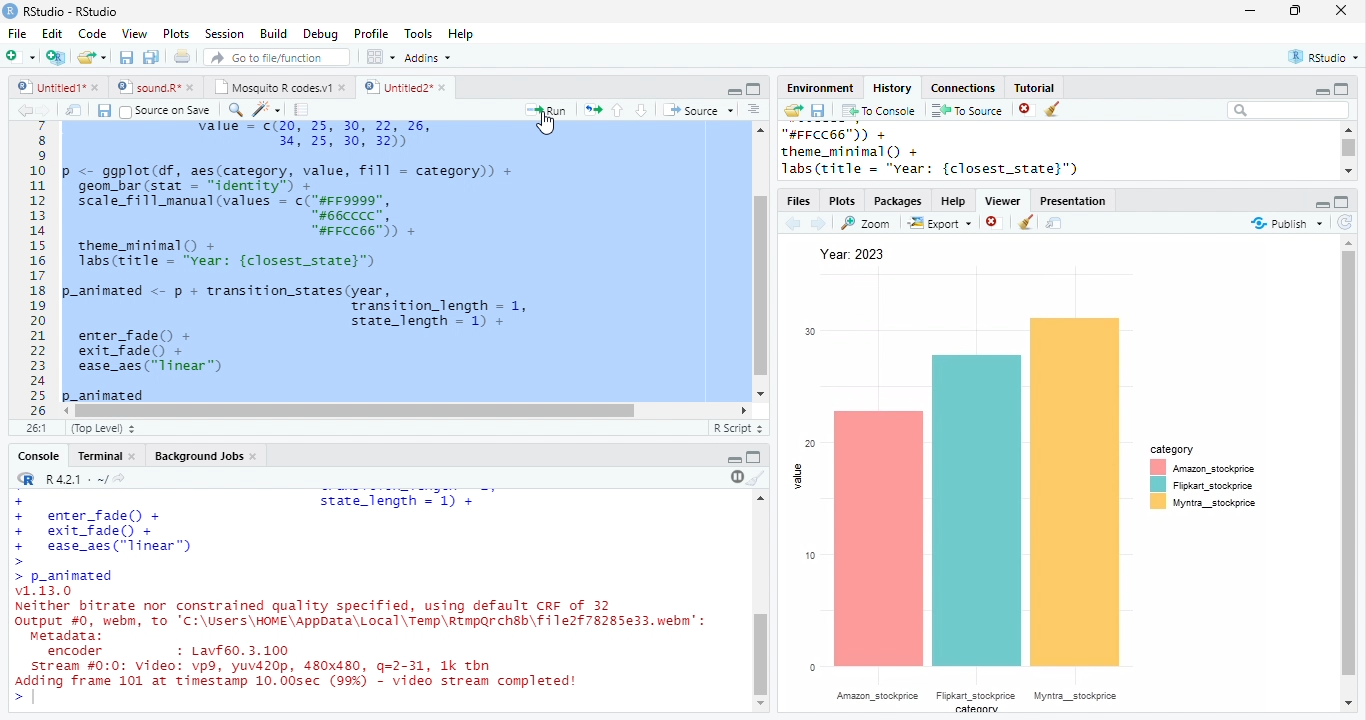  I want to click on v1.13.0 Neither bitrate nor constrained quality specified, using default CRF of 32output #0, webm, To 'C:\Users\HOME\AppData\Local\Temp\Rtmparchsb\file2f78285e33. ebm’:metadata:encoder + Lavf60. 3.100Stream #0:0: Video: vp9, yuv420p, 480x480, q=2-31, 1k thnAdding frame 101 at timestamp 10.00sec (99%) - video stream completed!, so click(366, 636).